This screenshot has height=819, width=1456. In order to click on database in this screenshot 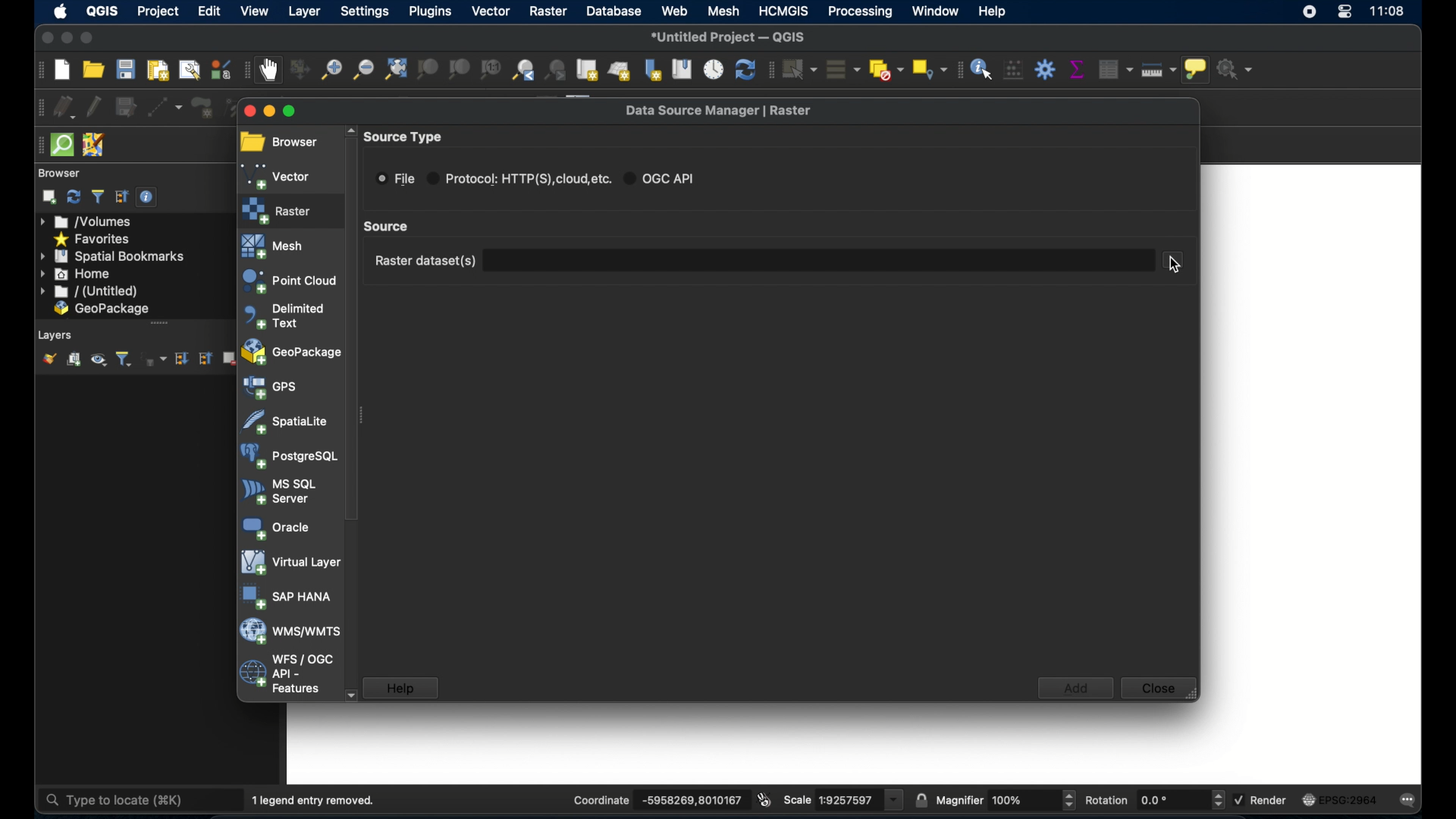, I will do `click(616, 12)`.